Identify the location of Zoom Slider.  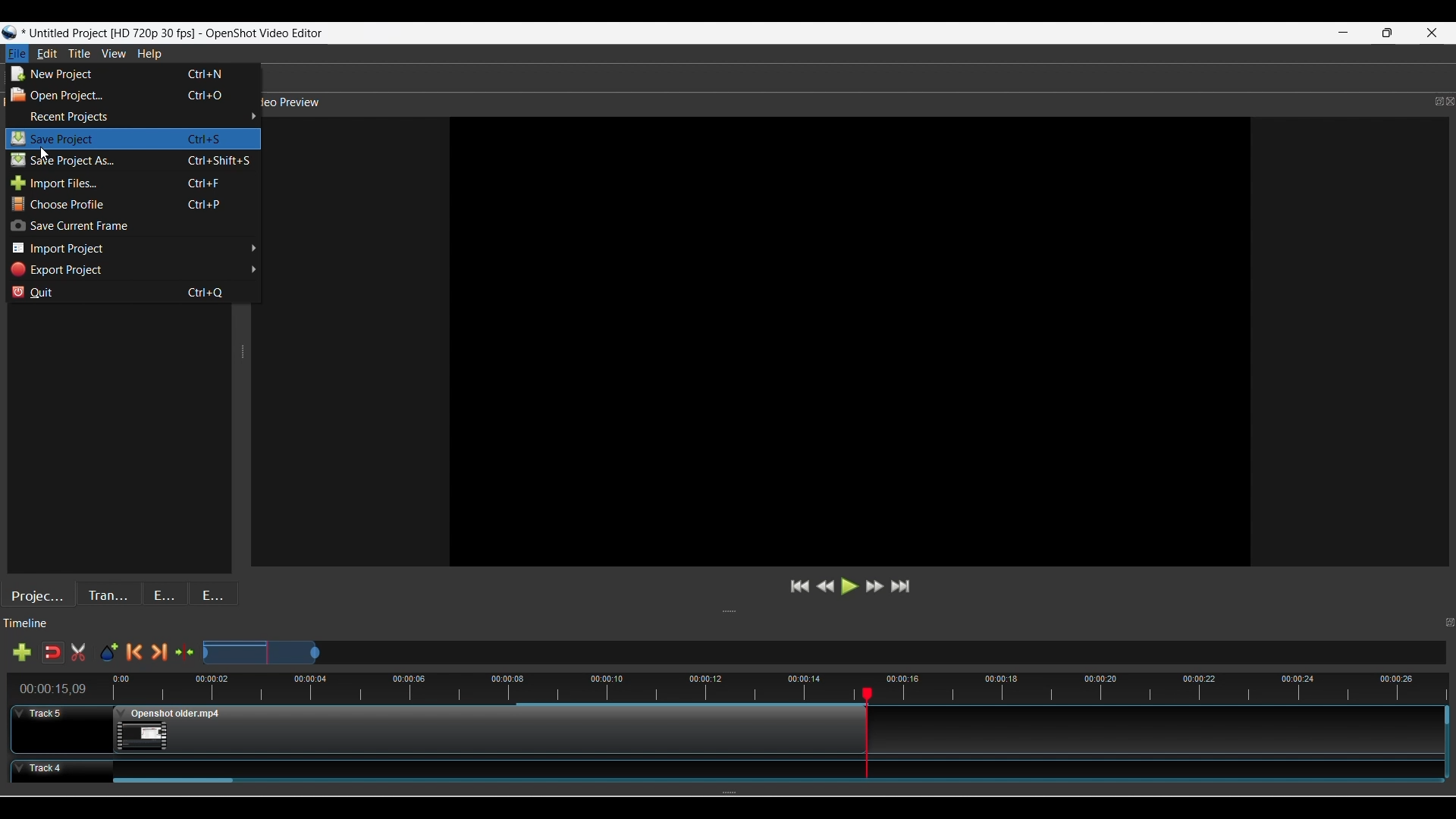
(823, 653).